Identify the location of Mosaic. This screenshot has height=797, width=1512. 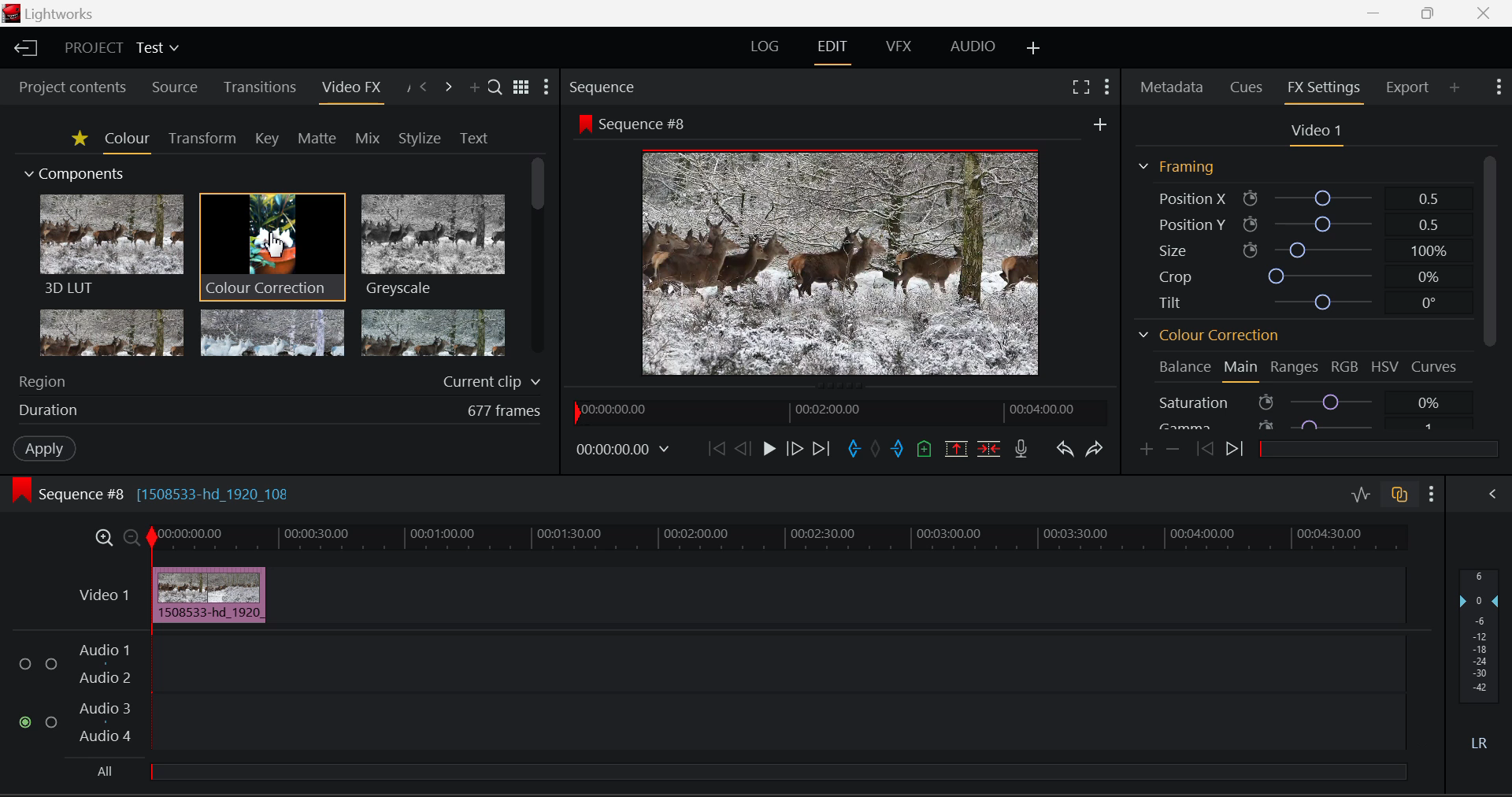
(270, 332).